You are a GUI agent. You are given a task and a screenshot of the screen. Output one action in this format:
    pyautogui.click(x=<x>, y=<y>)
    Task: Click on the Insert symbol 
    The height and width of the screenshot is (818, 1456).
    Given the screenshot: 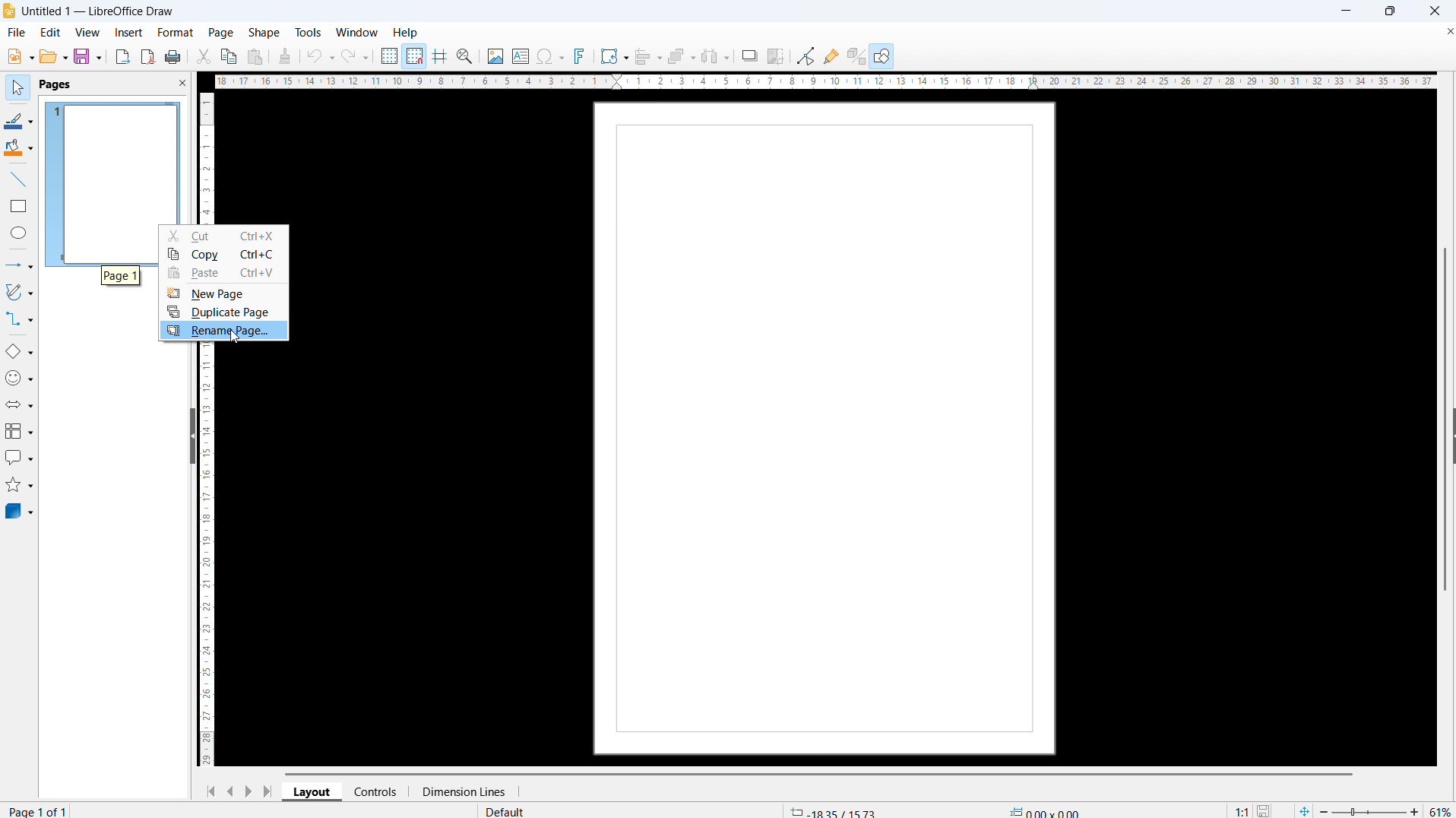 What is the action you would take?
    pyautogui.click(x=552, y=56)
    